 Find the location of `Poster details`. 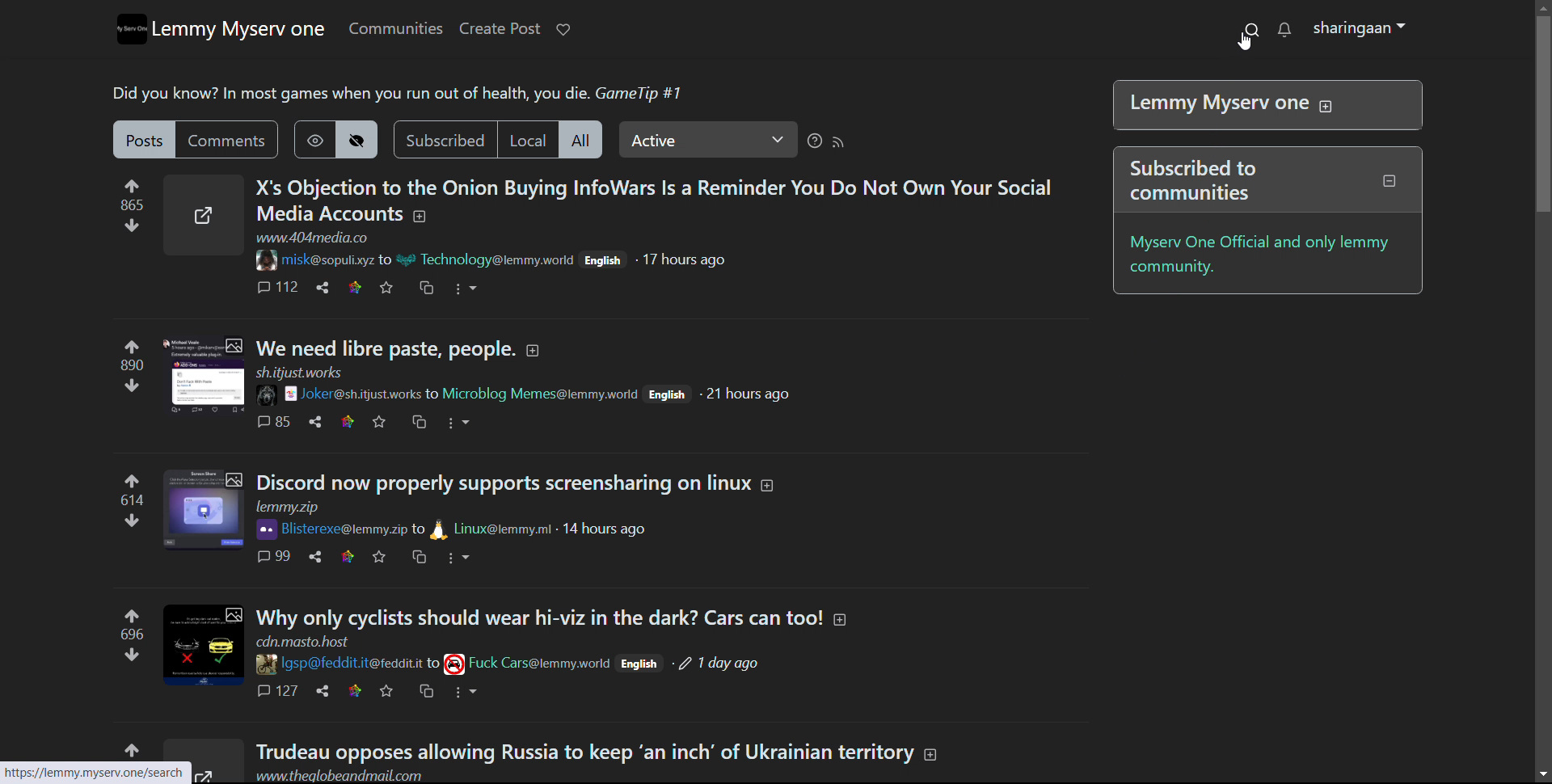

Poster details is located at coordinates (436, 663).